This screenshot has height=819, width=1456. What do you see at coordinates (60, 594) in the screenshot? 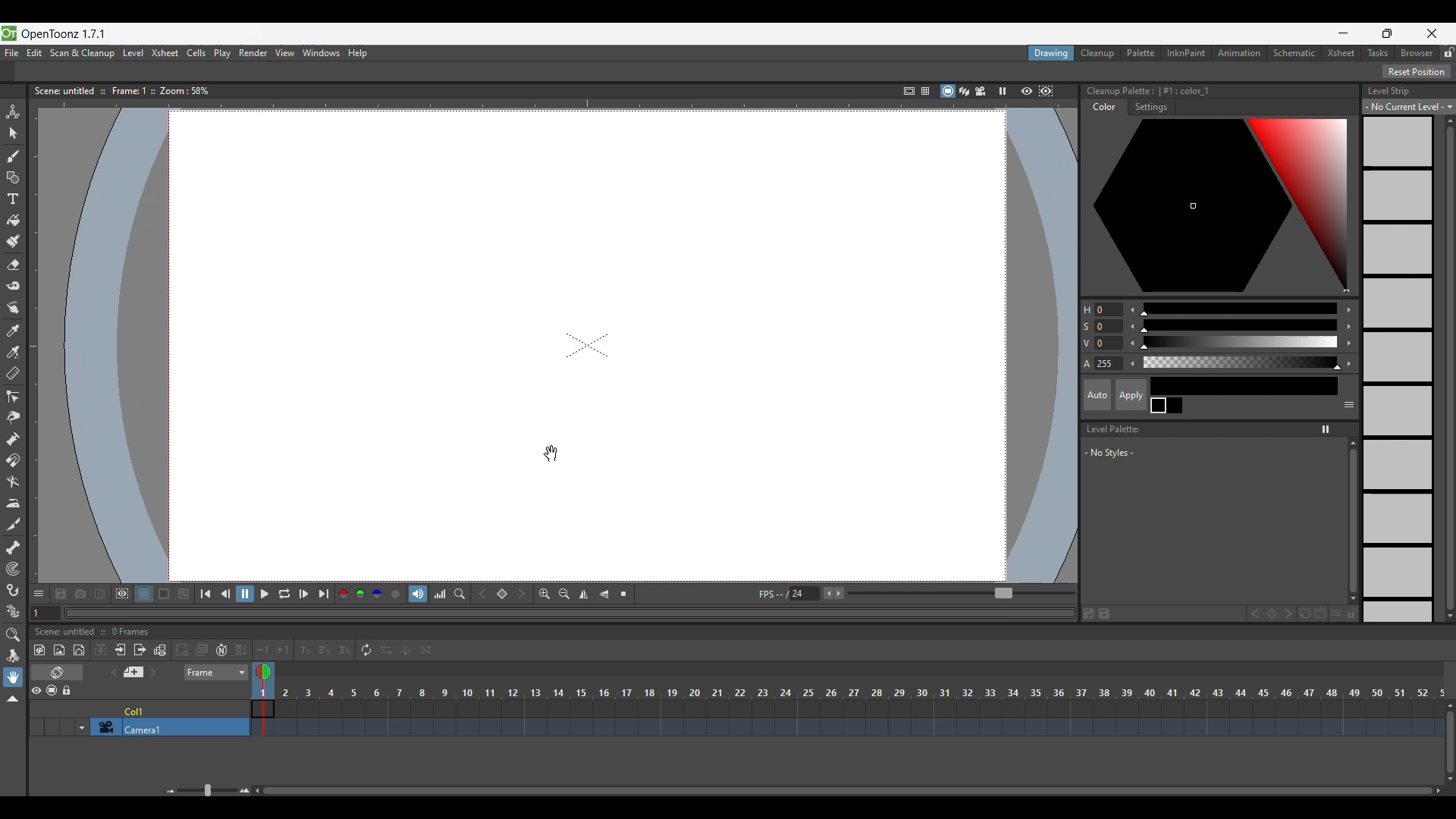
I see `Save images` at bounding box center [60, 594].